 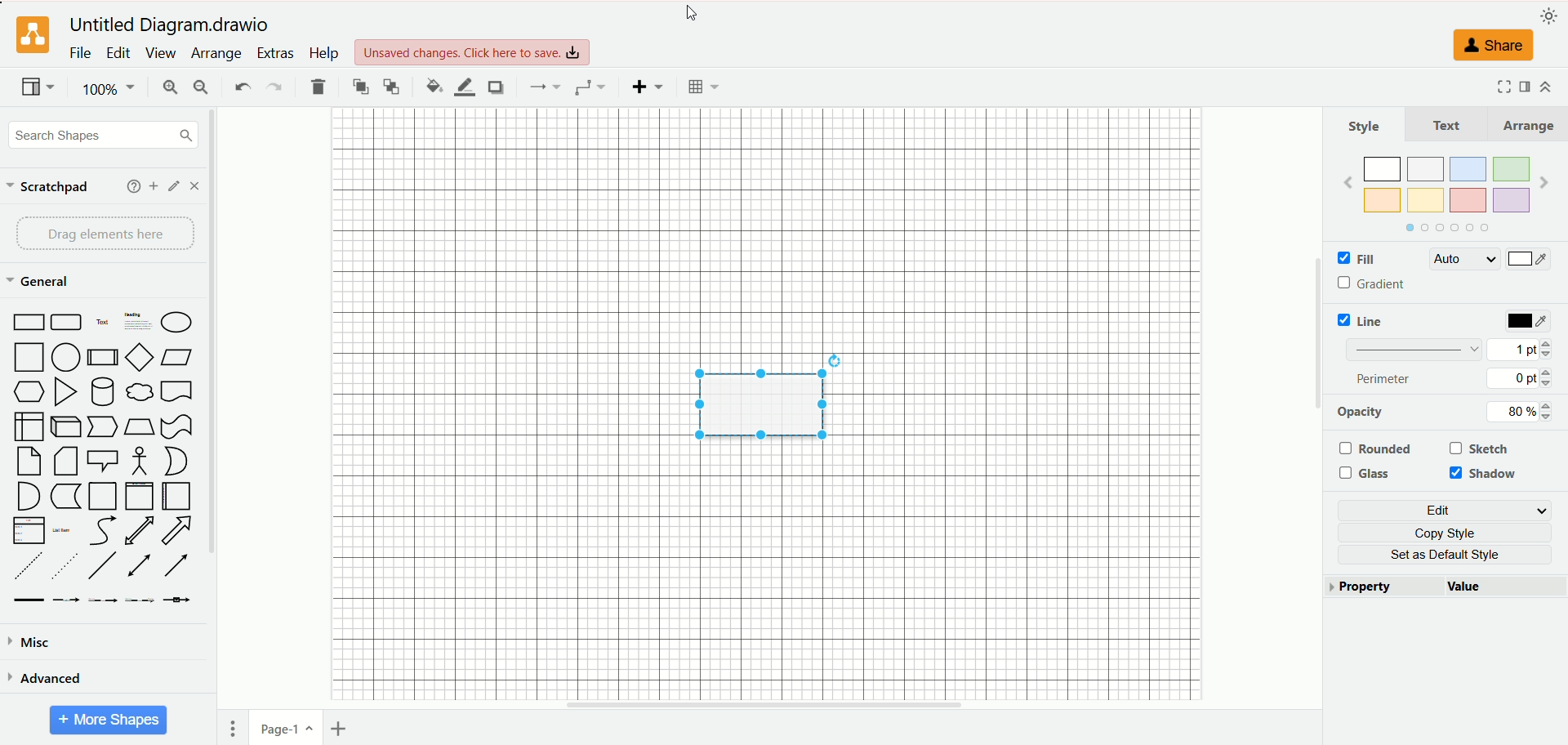 What do you see at coordinates (1544, 185) in the screenshot?
I see `next color options` at bounding box center [1544, 185].